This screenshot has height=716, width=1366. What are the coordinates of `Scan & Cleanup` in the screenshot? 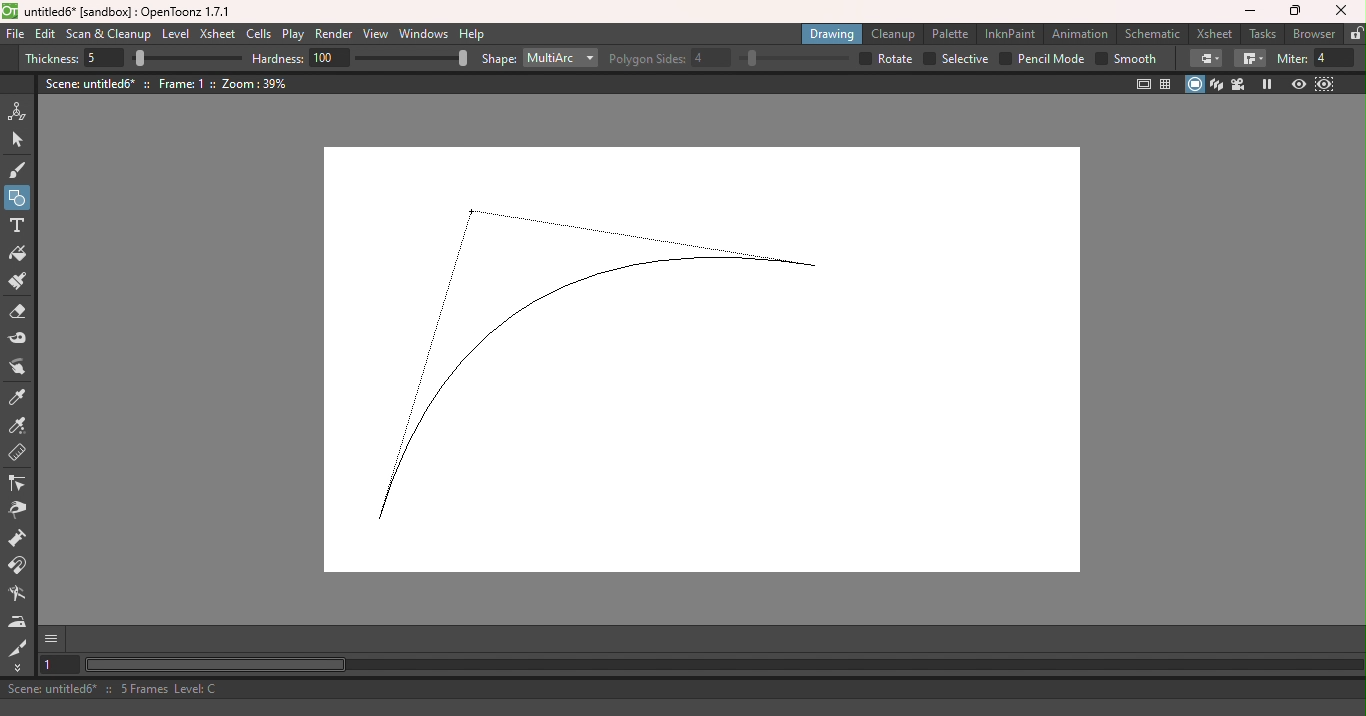 It's located at (108, 34).